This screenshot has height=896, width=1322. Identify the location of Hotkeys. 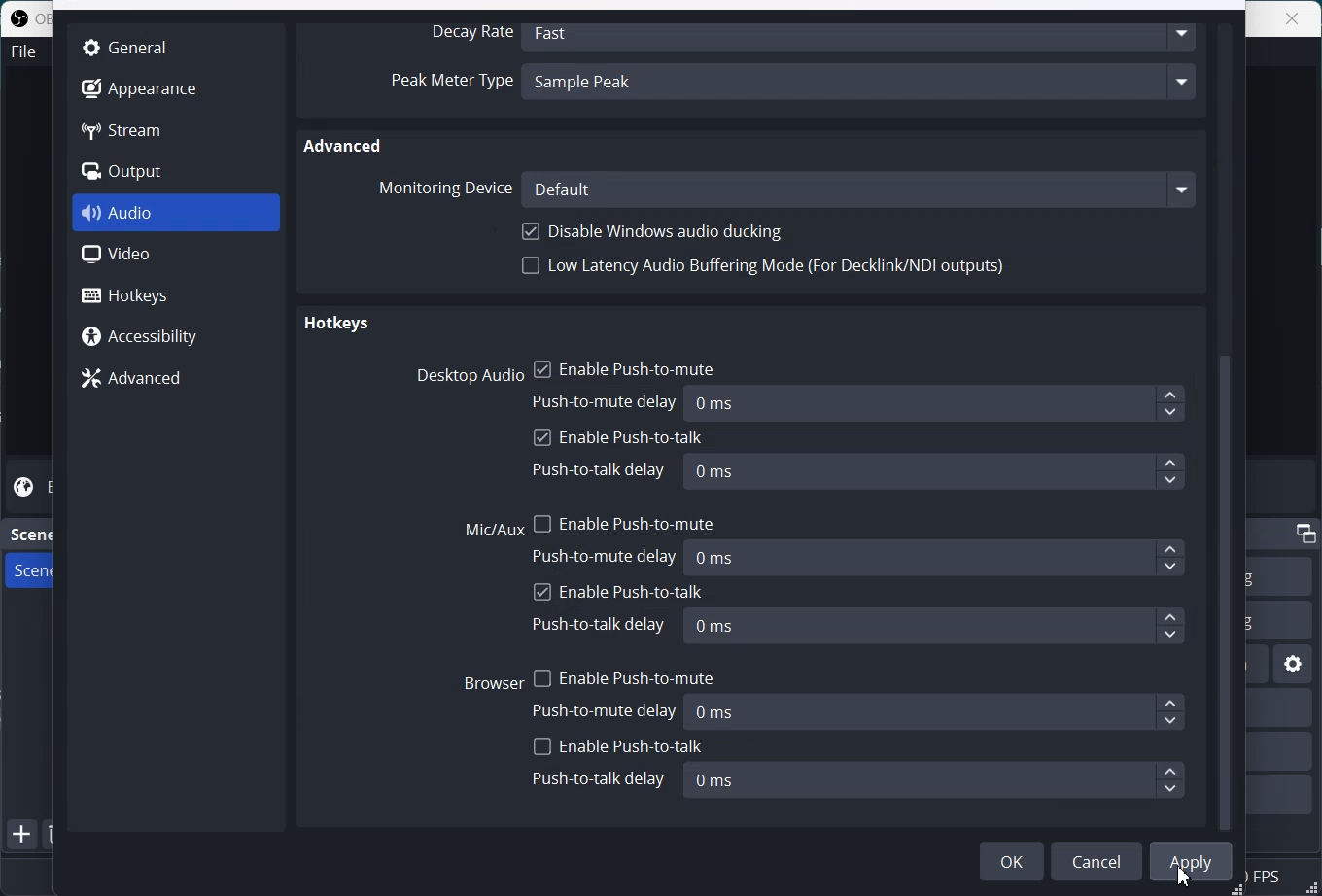
(335, 326).